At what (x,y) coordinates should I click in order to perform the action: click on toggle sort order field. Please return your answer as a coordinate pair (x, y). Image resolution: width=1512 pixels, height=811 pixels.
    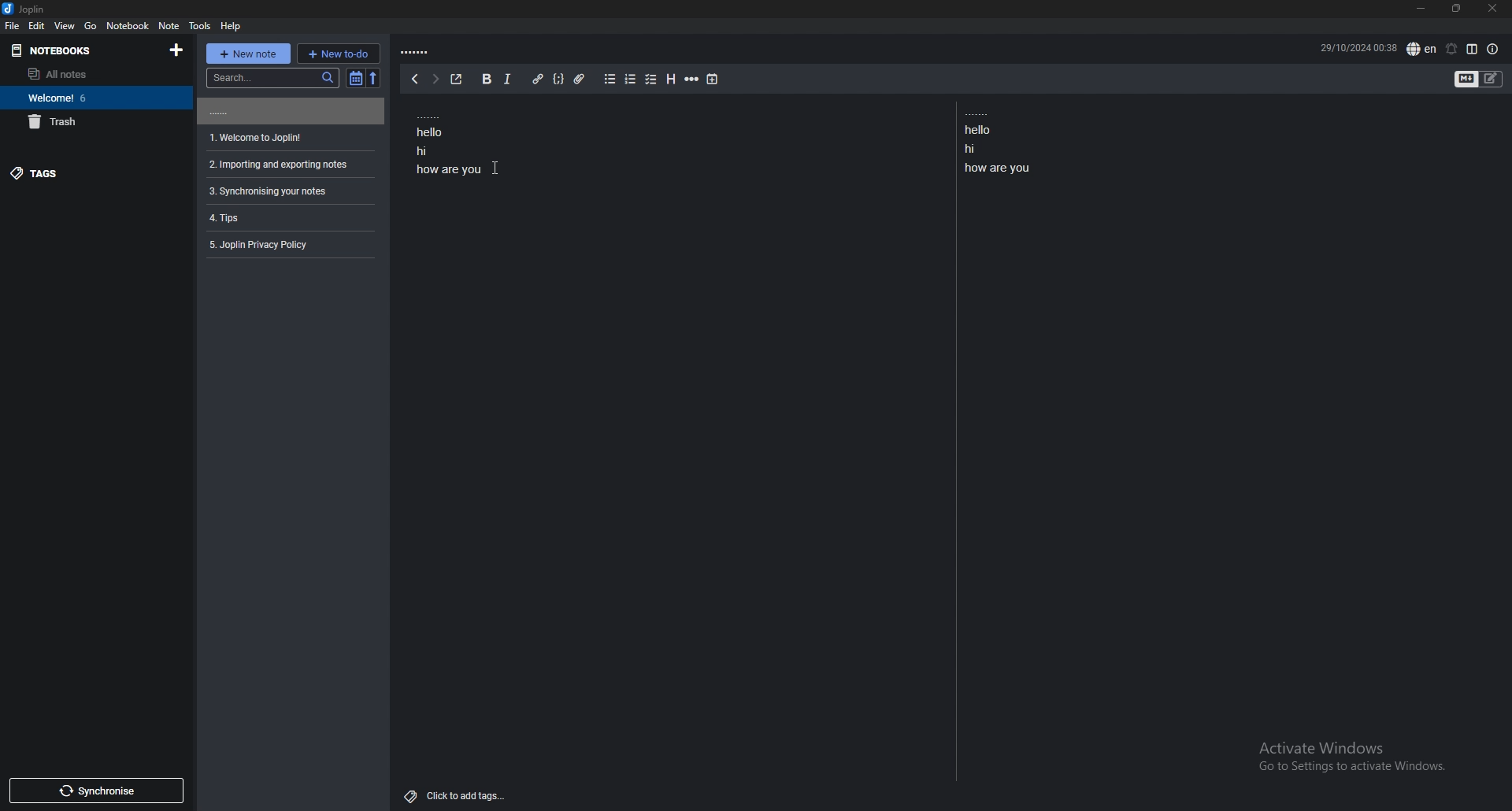
    Looking at the image, I should click on (355, 79).